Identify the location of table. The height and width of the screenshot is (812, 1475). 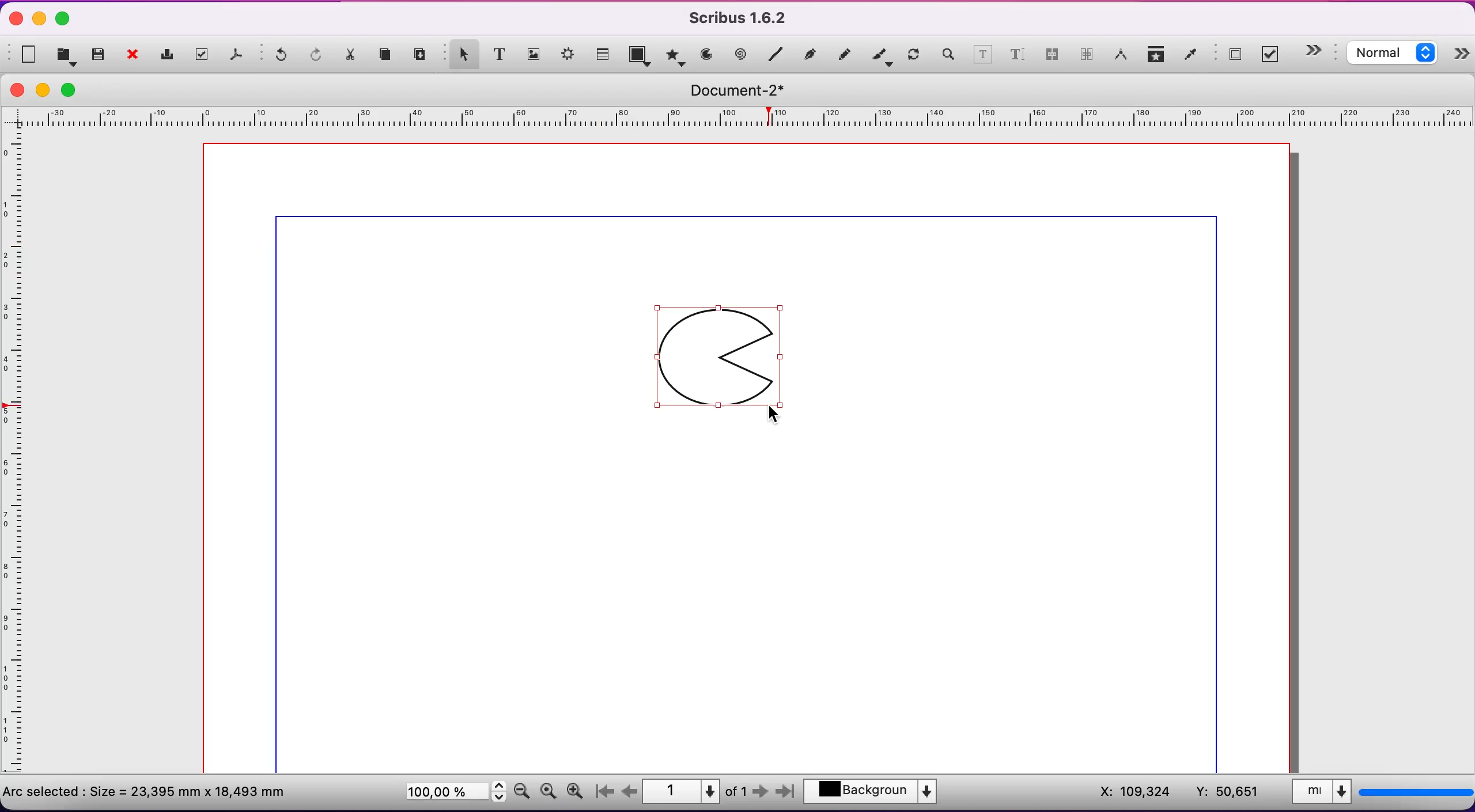
(604, 52).